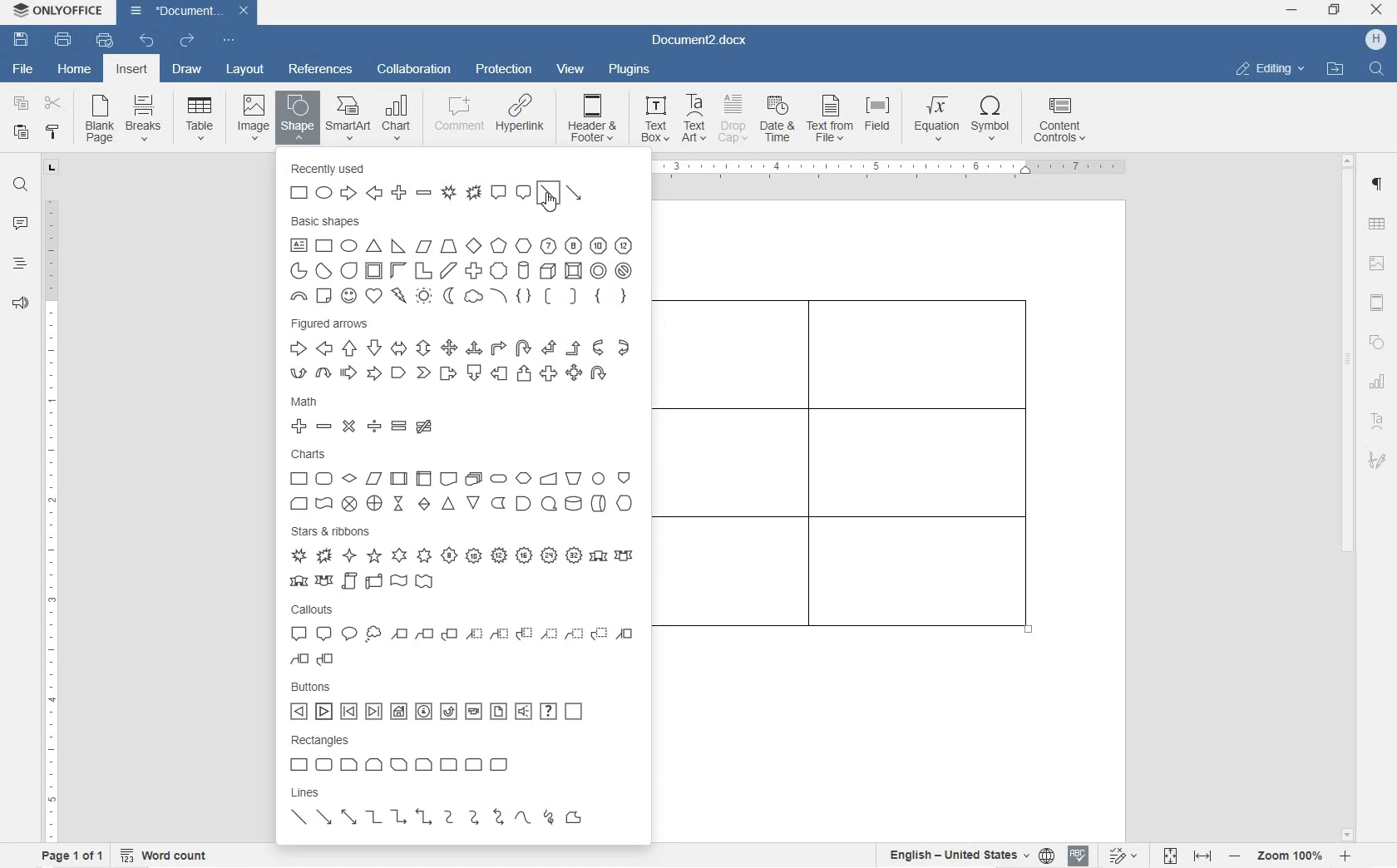  What do you see at coordinates (146, 119) in the screenshot?
I see `insert page breaks` at bounding box center [146, 119].